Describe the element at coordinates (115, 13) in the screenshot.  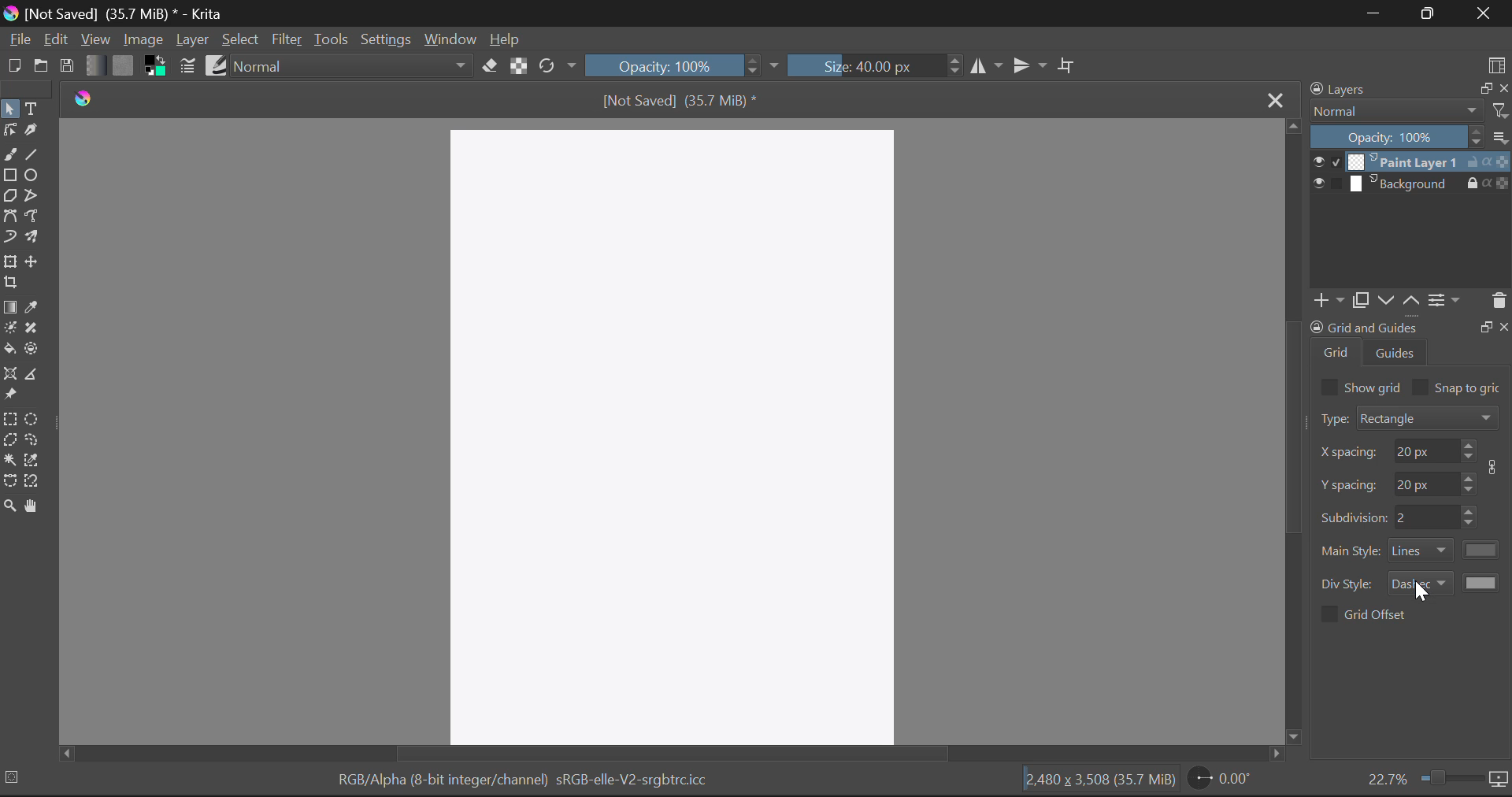
I see `[Not Saved] (35.7 MiB) * - Krita` at that location.